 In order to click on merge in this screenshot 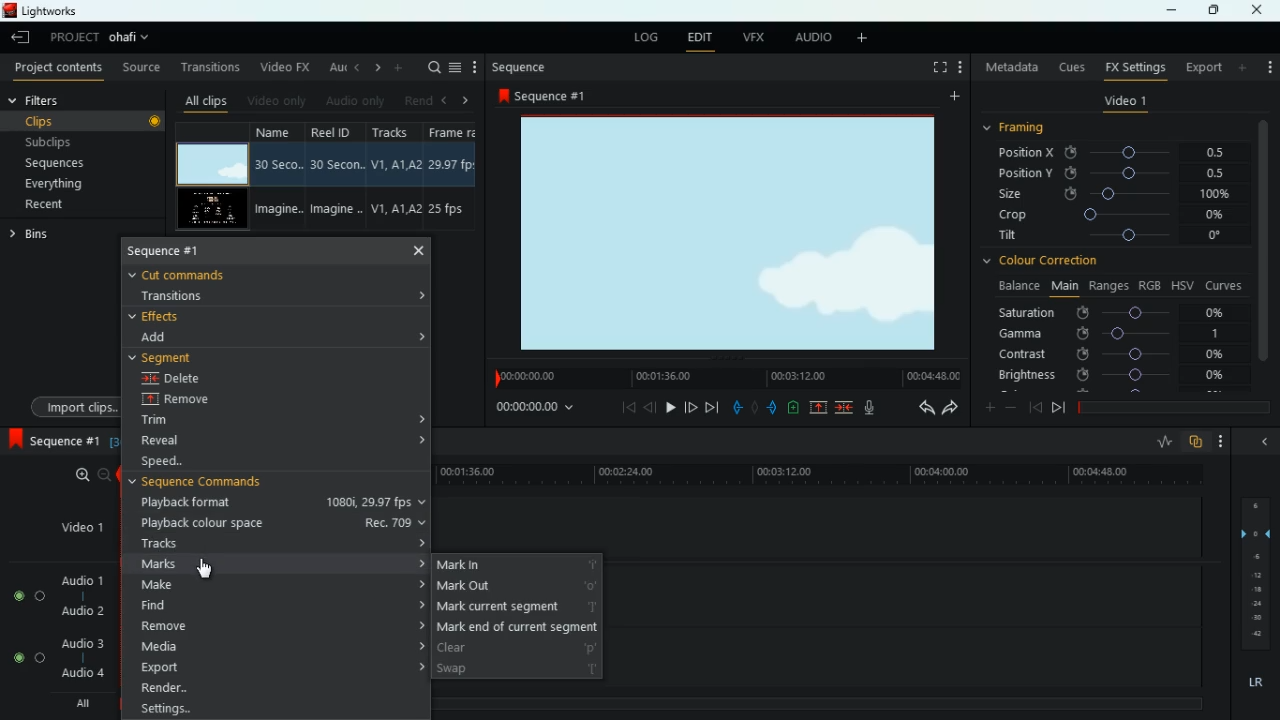, I will do `click(845, 408)`.